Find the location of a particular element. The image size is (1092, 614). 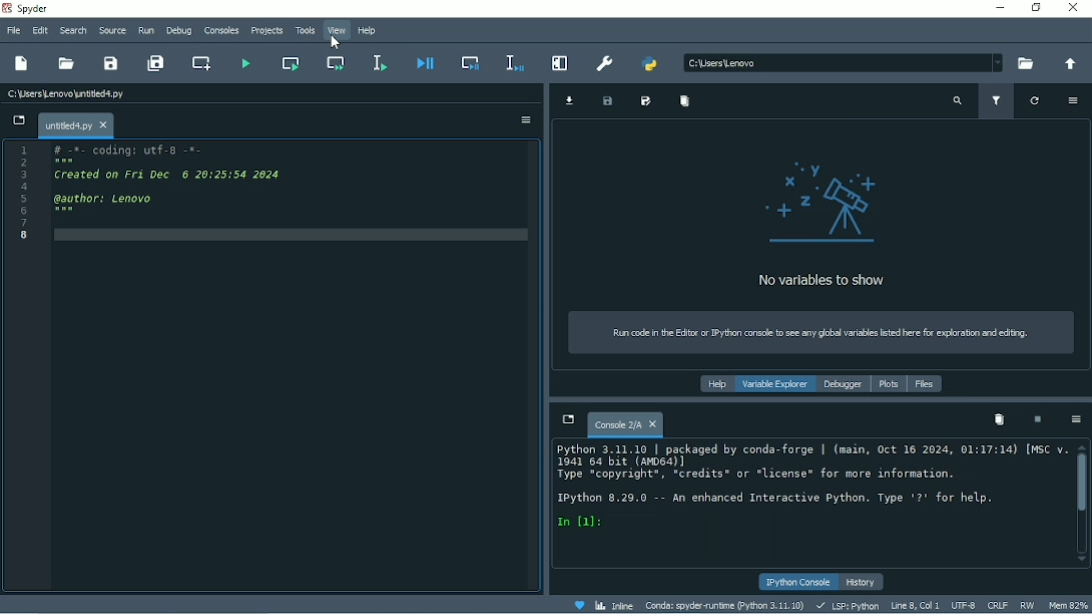

Run selection or current line is located at coordinates (380, 63).